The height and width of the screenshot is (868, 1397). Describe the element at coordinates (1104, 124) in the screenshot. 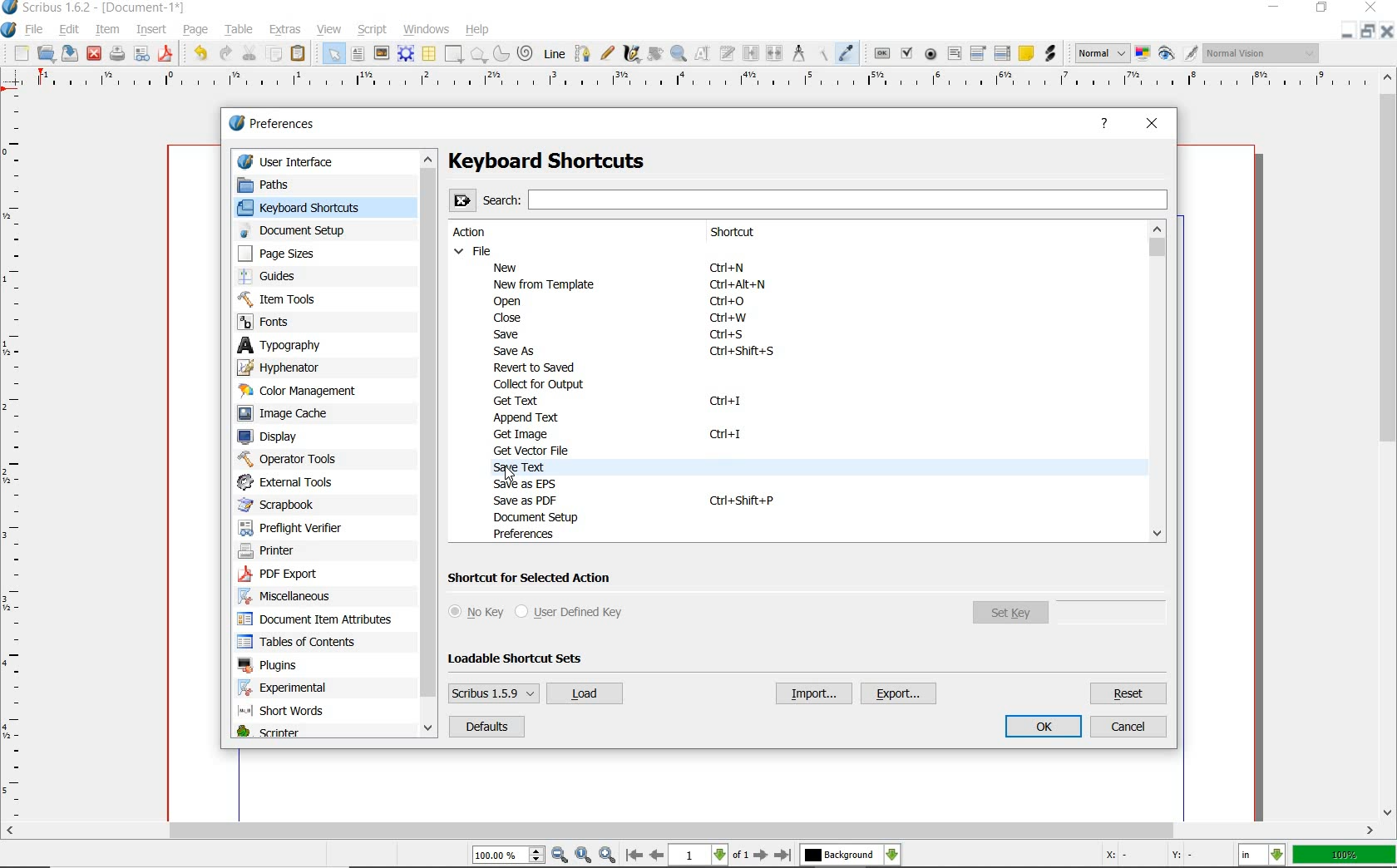

I see `help` at that location.